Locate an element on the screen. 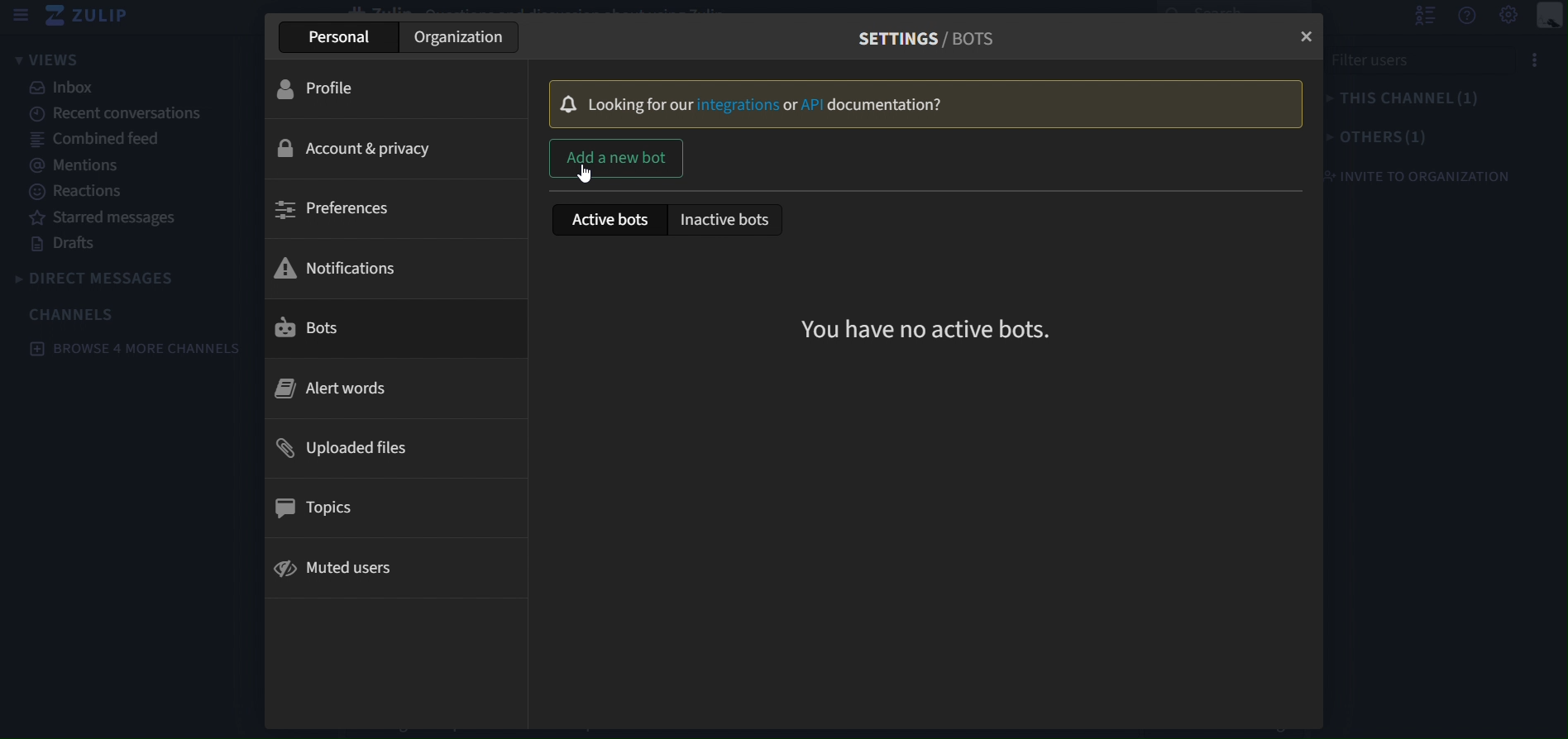 This screenshot has height=739, width=1568. reactions is located at coordinates (122, 192).